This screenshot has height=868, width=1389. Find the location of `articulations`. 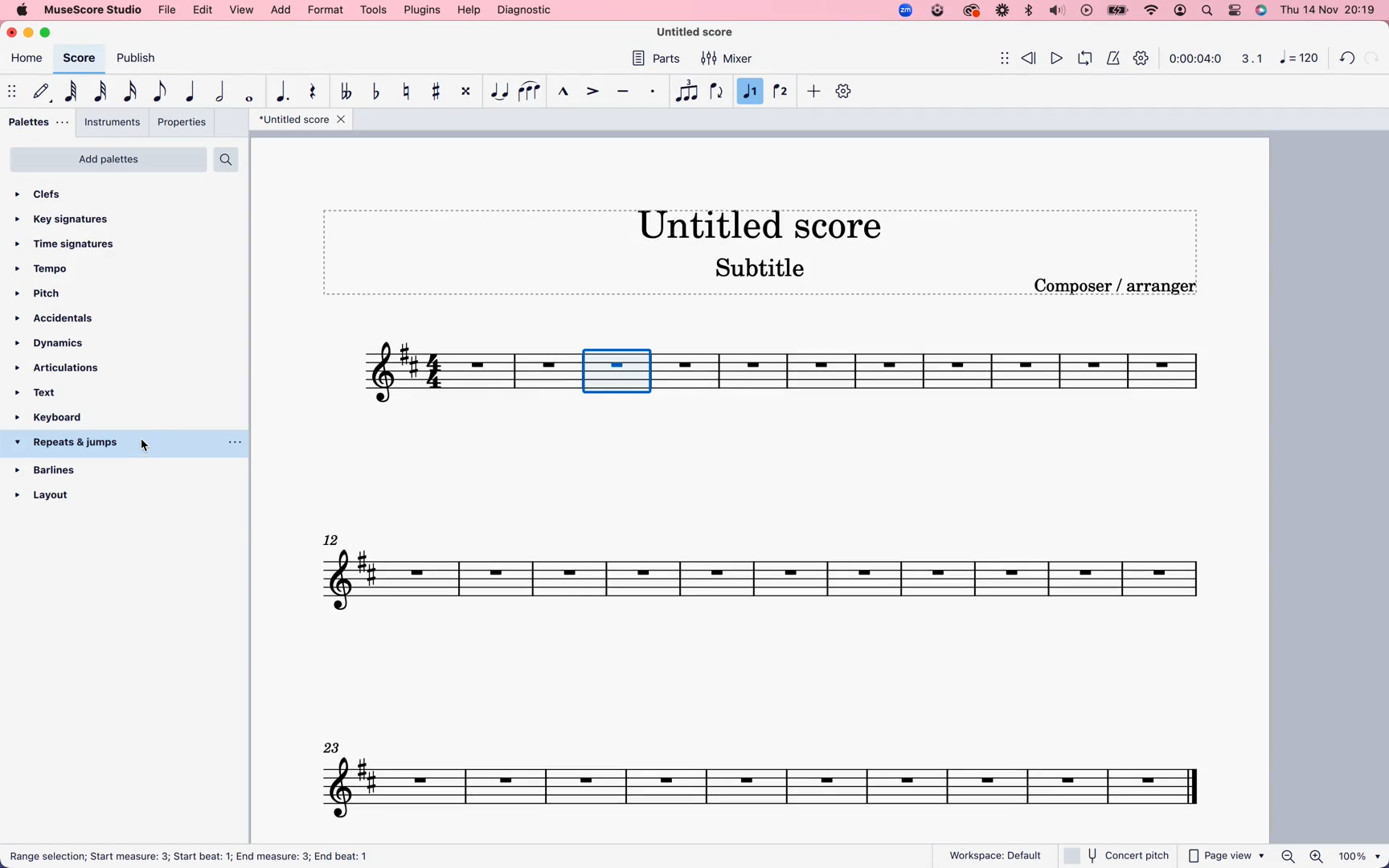

articulations is located at coordinates (61, 367).